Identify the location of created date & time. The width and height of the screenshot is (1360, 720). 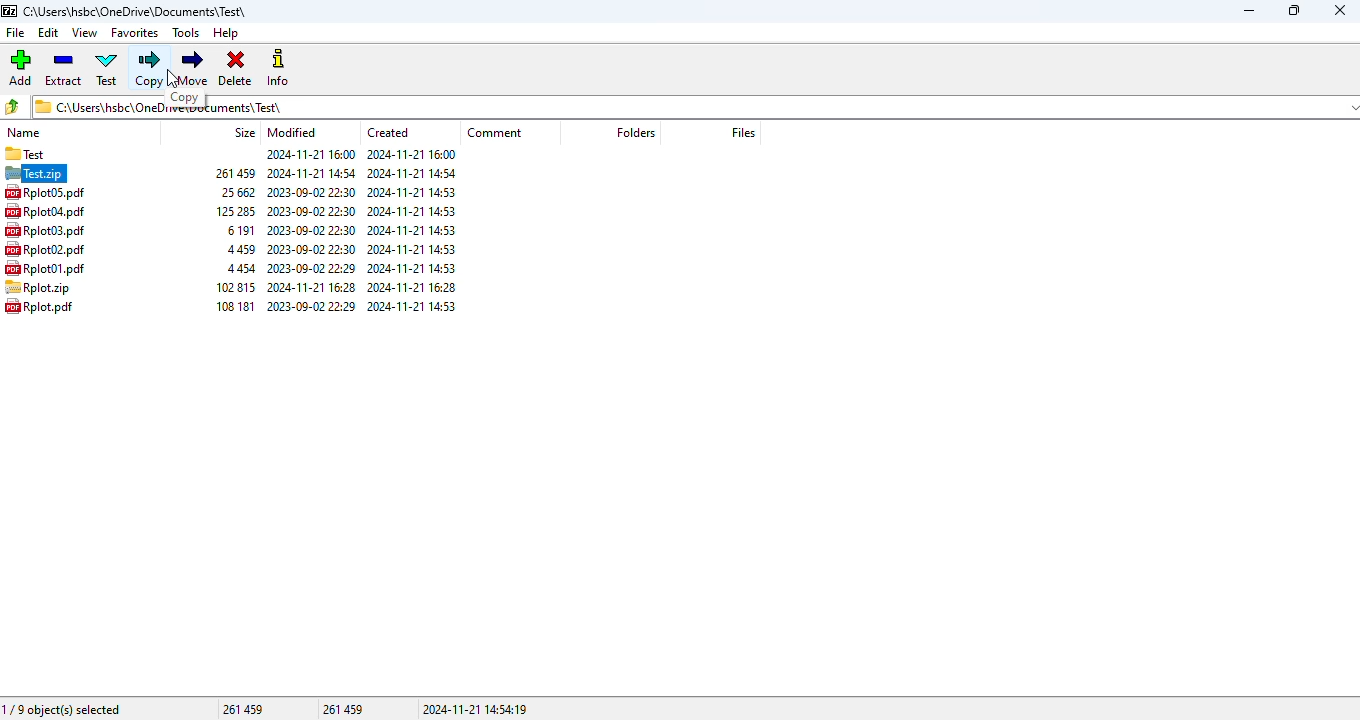
(413, 211).